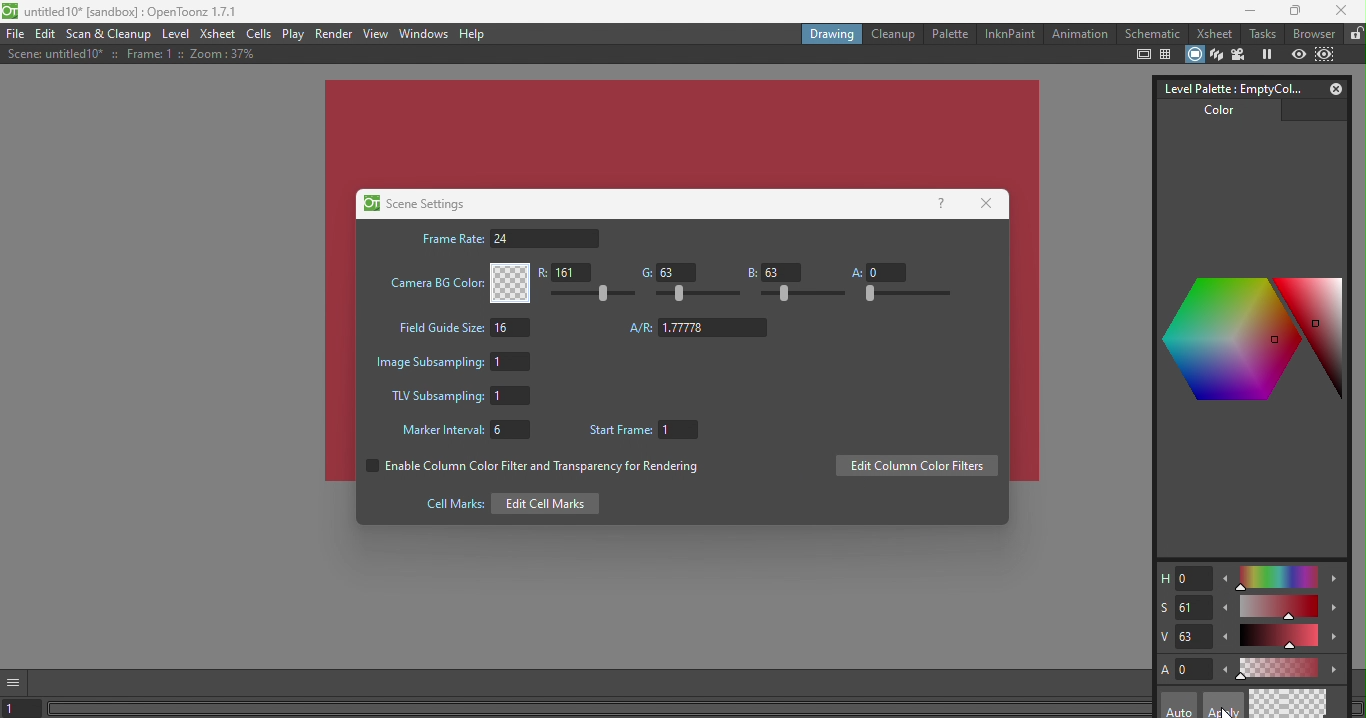  What do you see at coordinates (699, 328) in the screenshot?
I see `Aspect ratio` at bounding box center [699, 328].